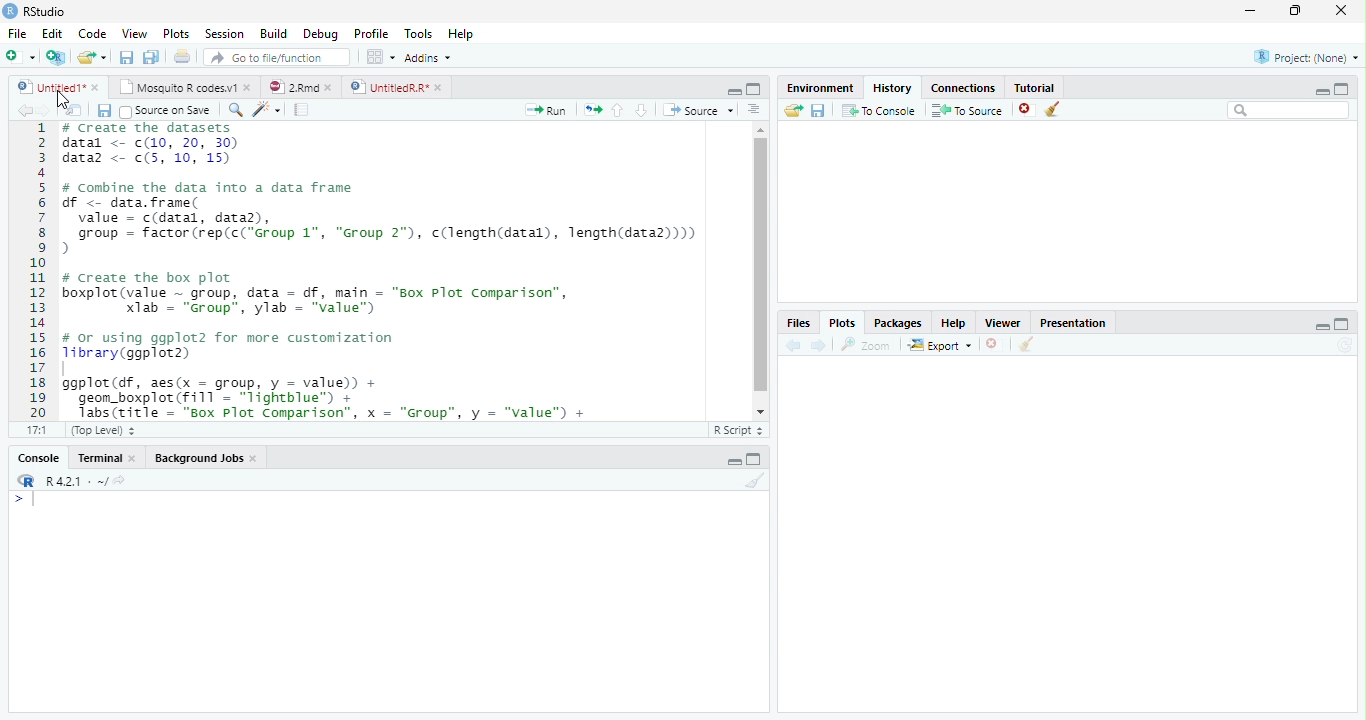 This screenshot has width=1366, height=720. I want to click on Export, so click(940, 345).